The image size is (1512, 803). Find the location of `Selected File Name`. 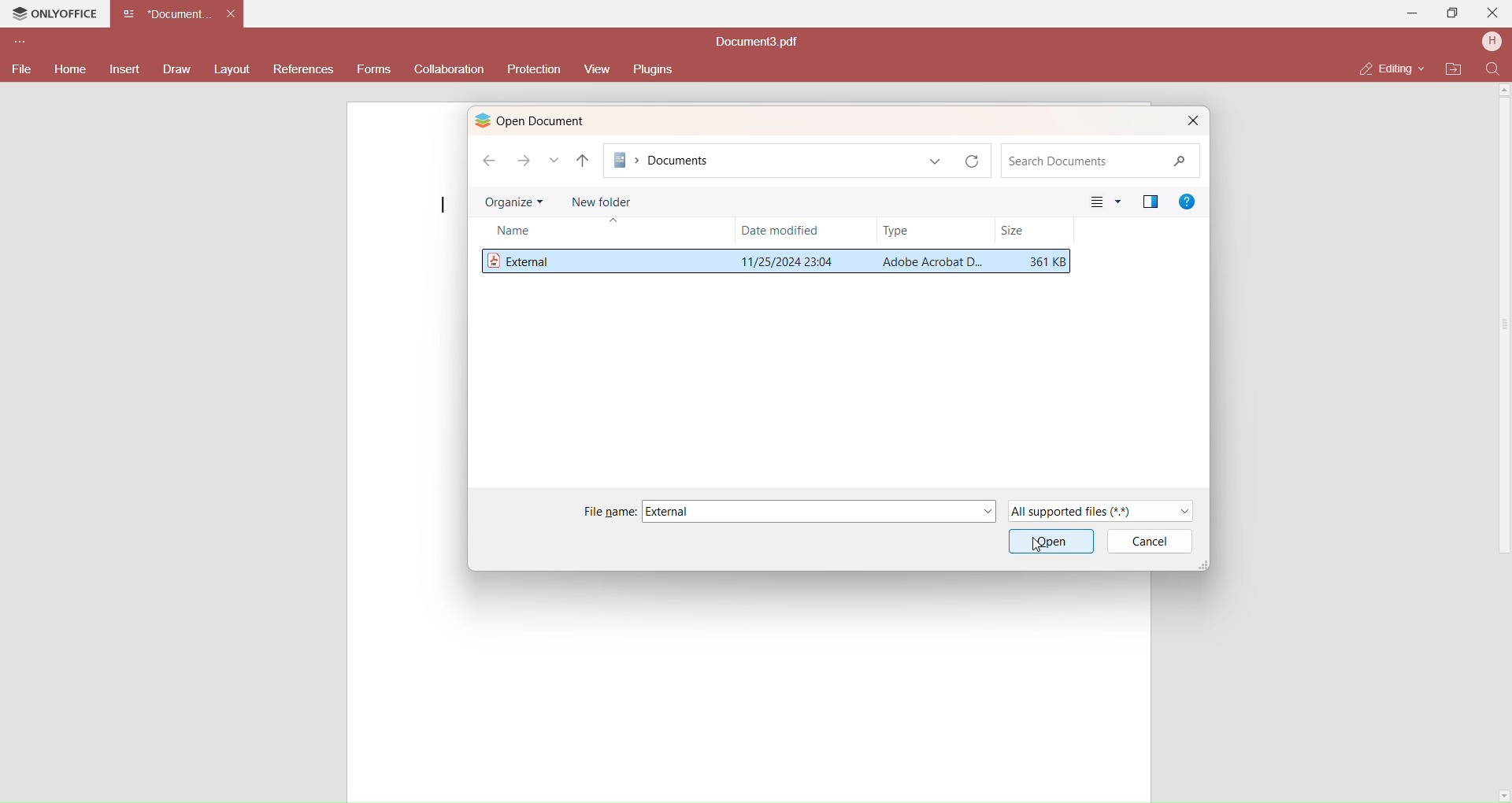

Selected File Name is located at coordinates (674, 511).